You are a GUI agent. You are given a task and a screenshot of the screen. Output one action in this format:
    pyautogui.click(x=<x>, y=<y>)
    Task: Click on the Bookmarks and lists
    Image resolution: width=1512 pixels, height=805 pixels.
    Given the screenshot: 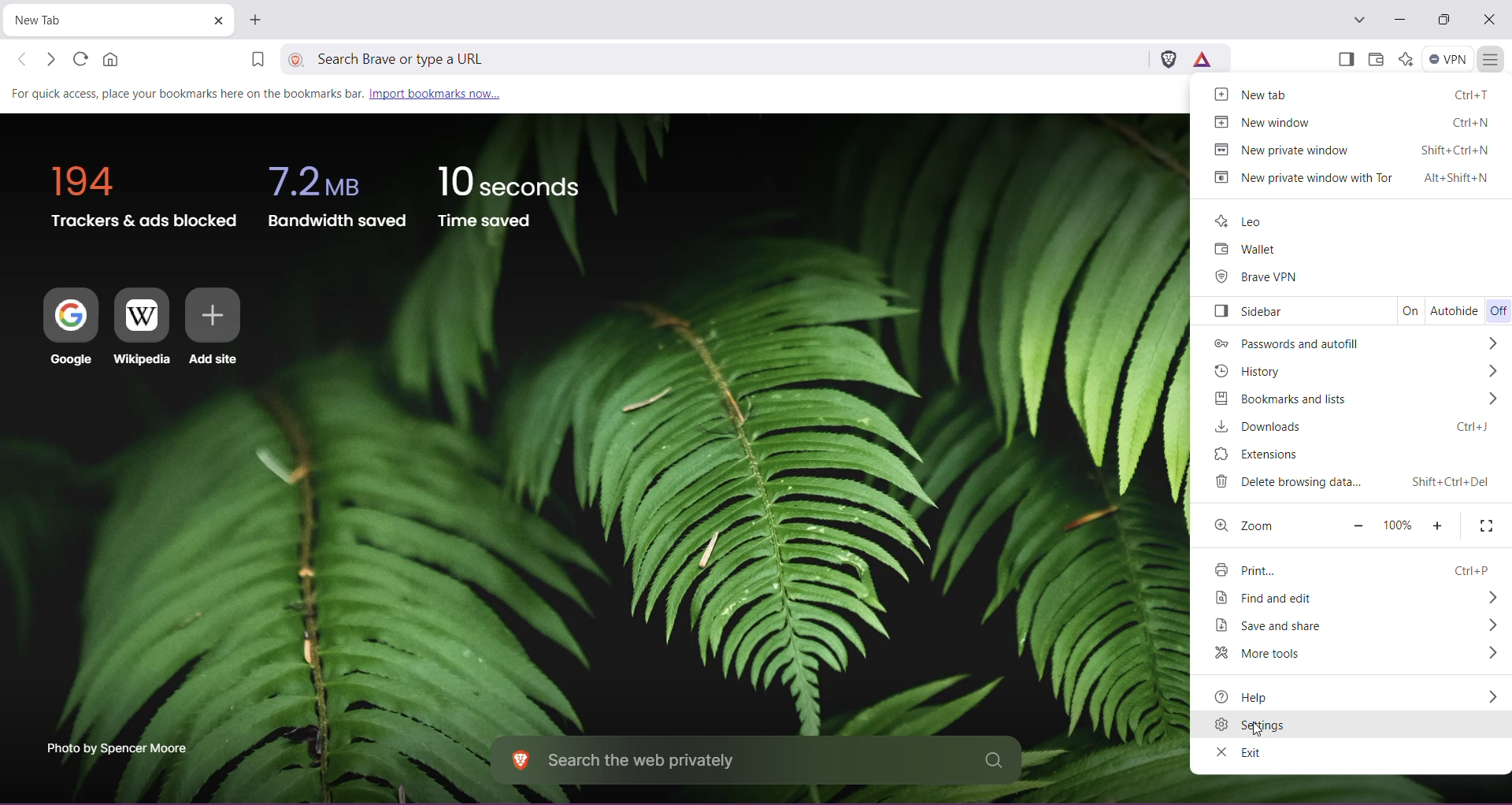 What is the action you would take?
    pyautogui.click(x=1275, y=398)
    